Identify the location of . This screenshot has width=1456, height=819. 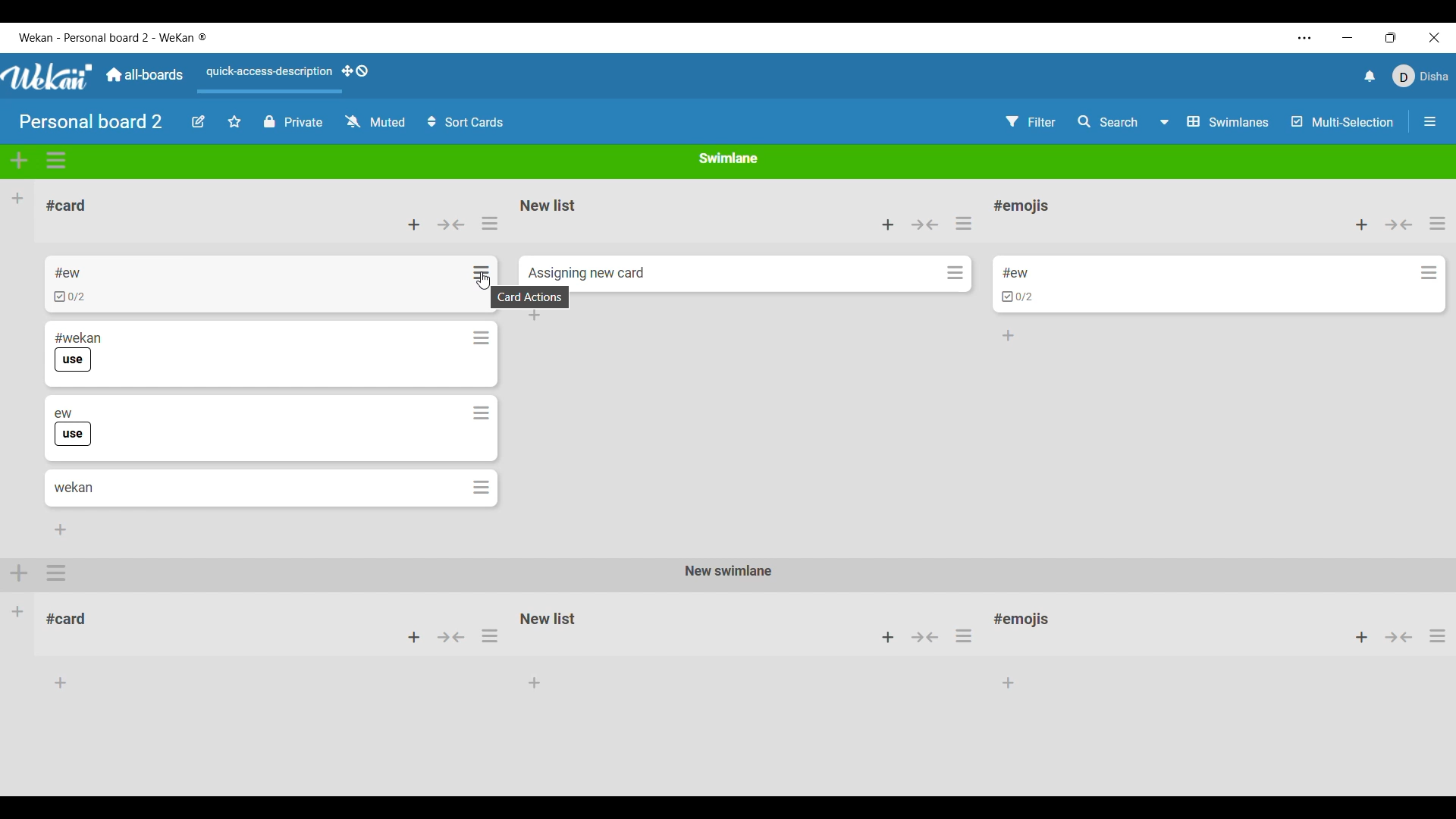
(1400, 639).